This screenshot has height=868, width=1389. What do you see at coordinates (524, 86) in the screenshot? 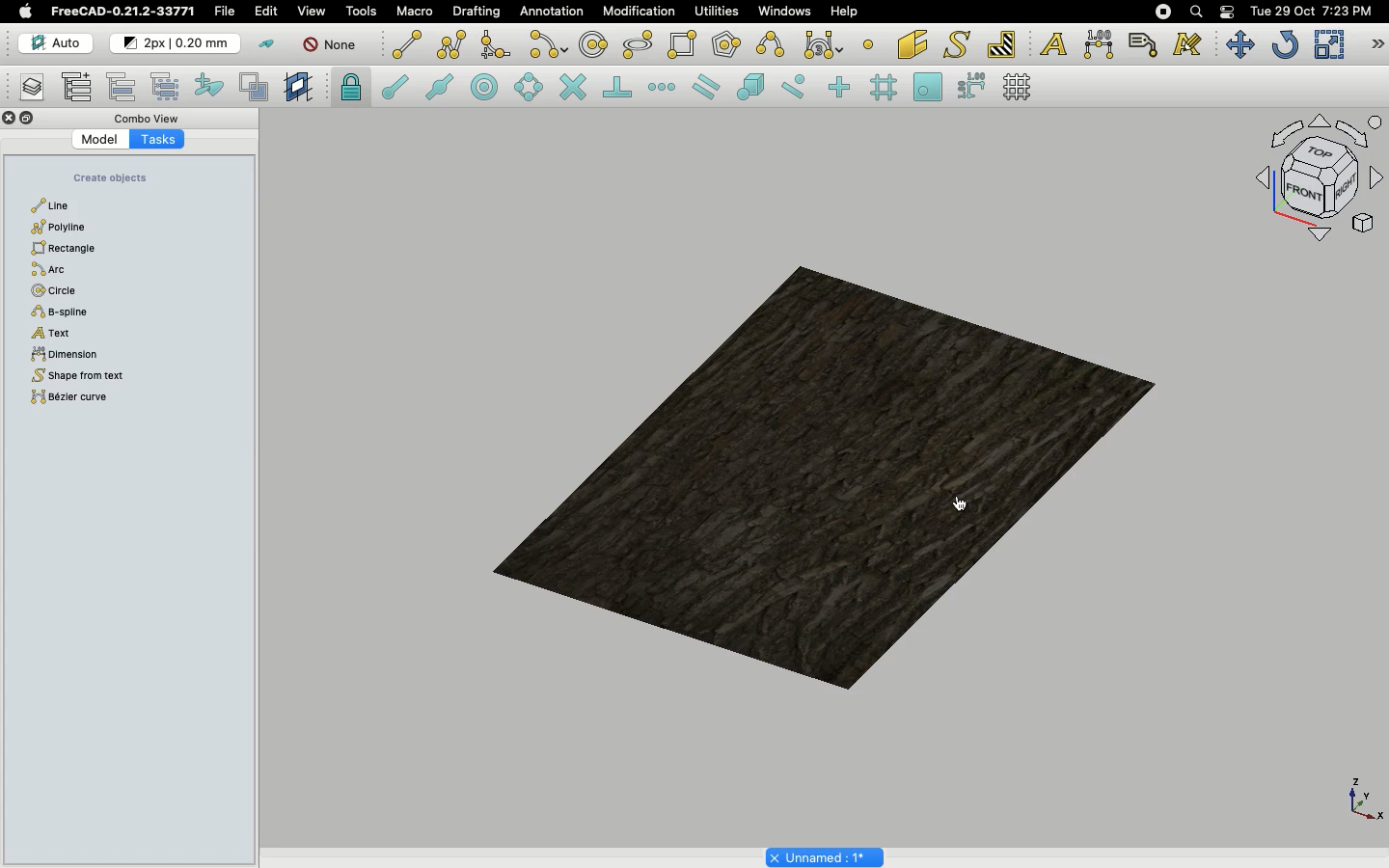
I see `Snap angle` at bounding box center [524, 86].